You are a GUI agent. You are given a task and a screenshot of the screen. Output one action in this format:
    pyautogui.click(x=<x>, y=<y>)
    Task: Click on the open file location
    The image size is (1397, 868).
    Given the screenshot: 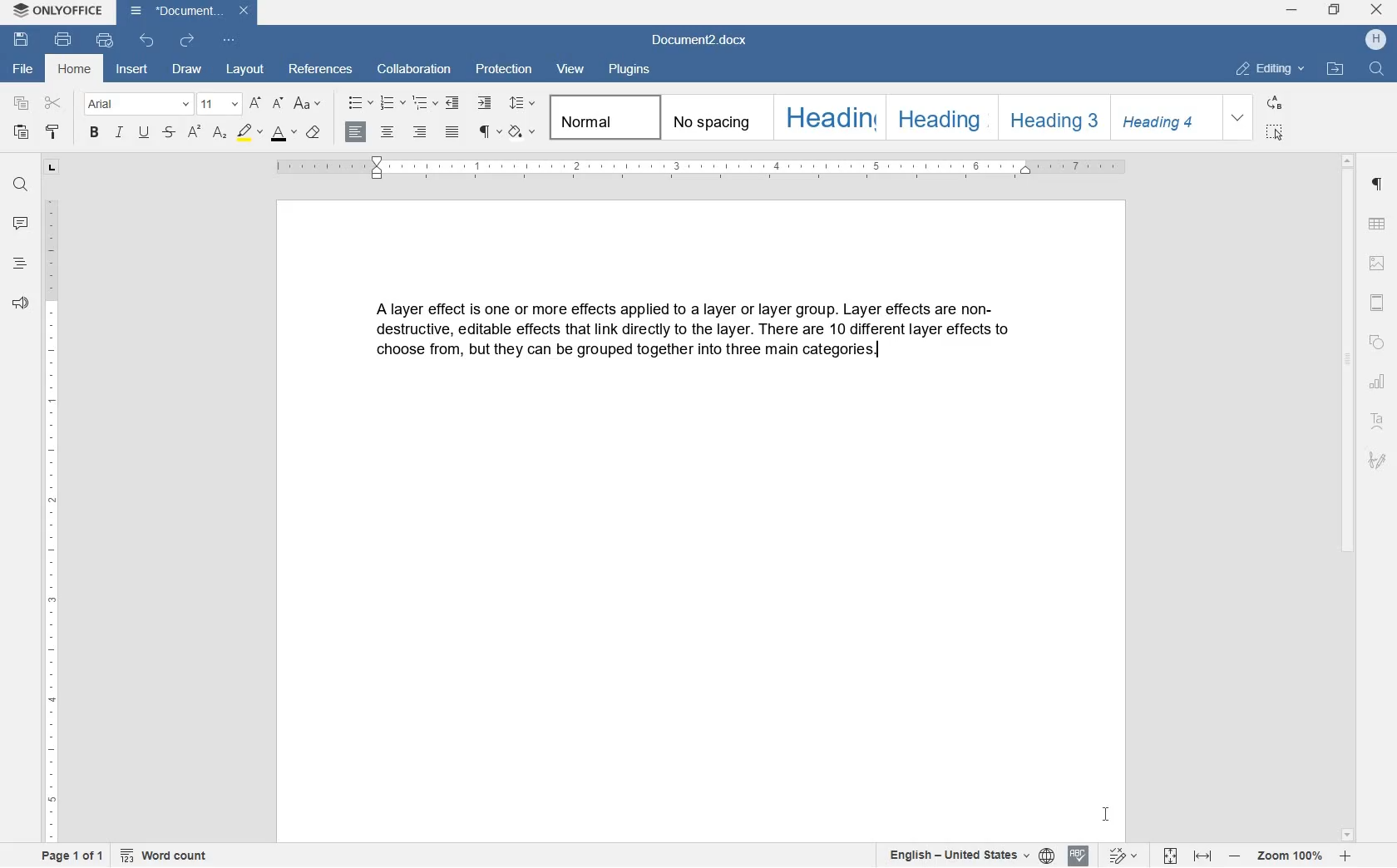 What is the action you would take?
    pyautogui.click(x=1335, y=68)
    